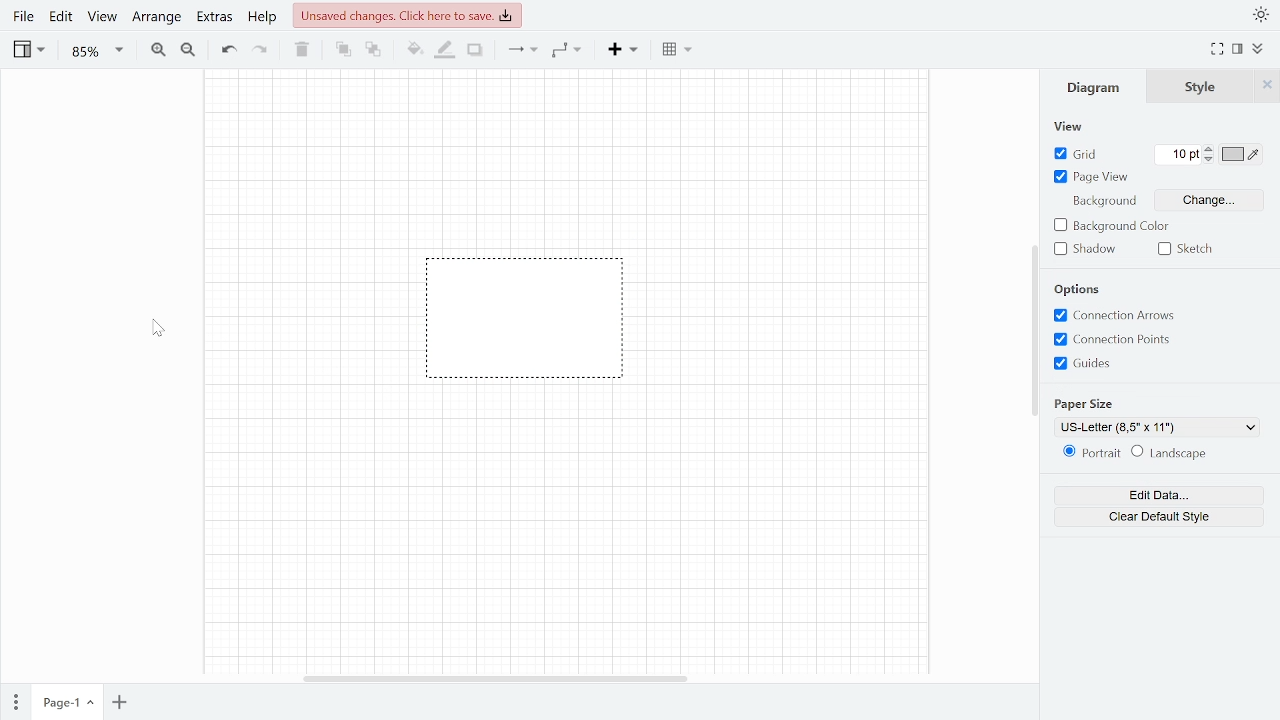 This screenshot has height=720, width=1280. Describe the element at coordinates (1087, 250) in the screenshot. I see `Shadow` at that location.